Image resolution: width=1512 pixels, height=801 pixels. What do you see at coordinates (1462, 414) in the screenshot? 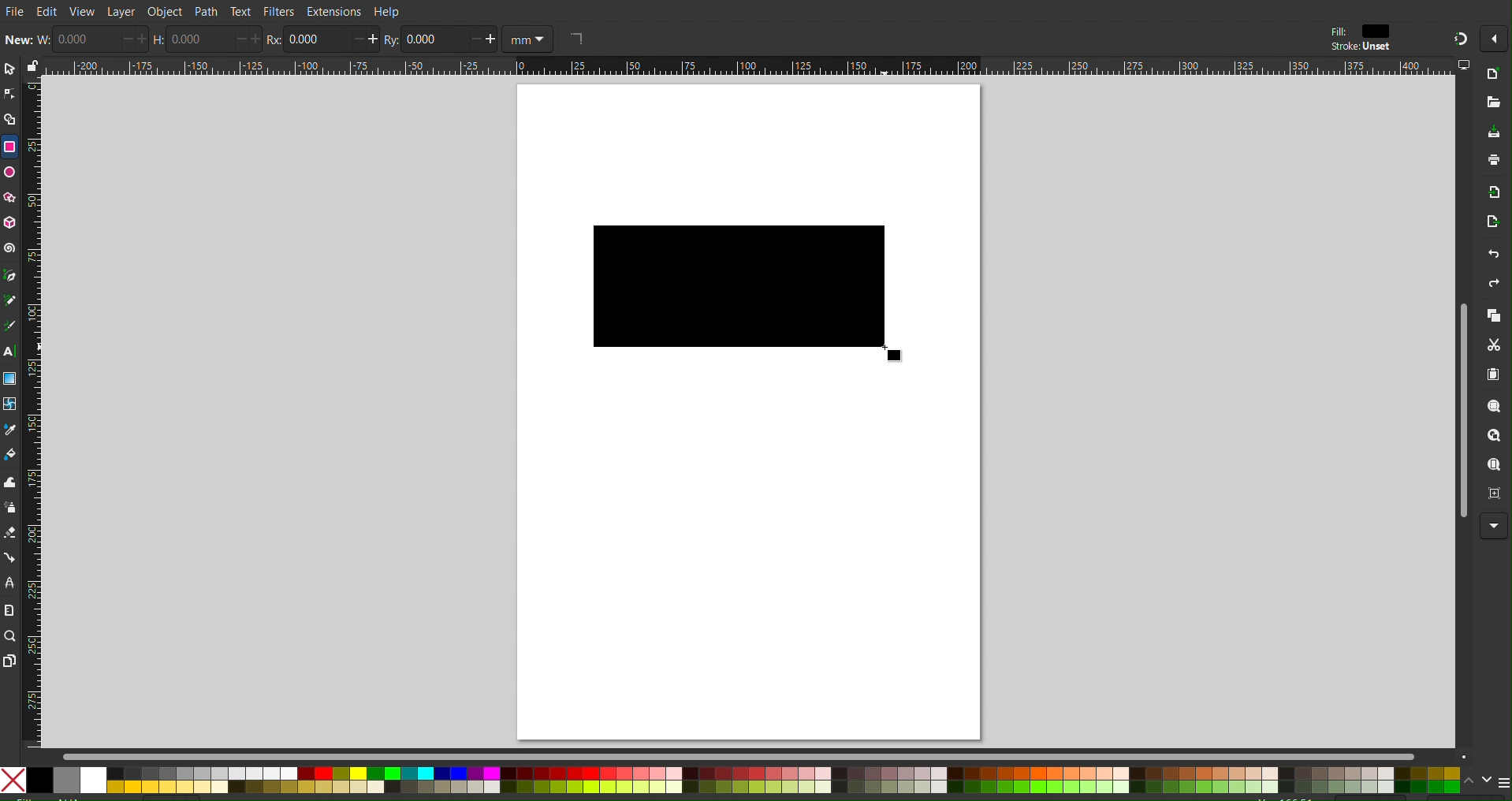
I see `Scrollbar` at bounding box center [1462, 414].